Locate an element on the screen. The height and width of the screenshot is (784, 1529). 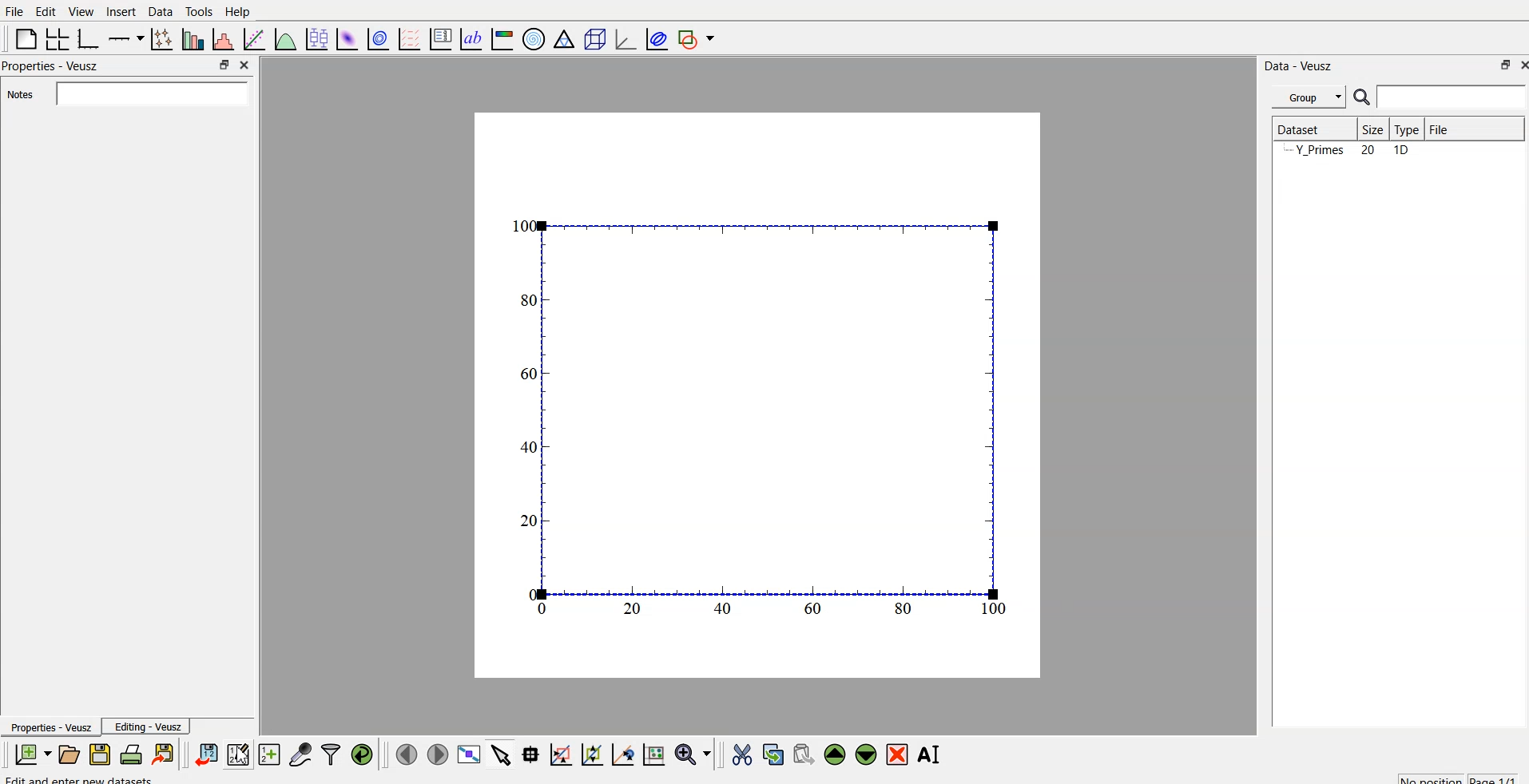
reload linked dataset is located at coordinates (362, 752).